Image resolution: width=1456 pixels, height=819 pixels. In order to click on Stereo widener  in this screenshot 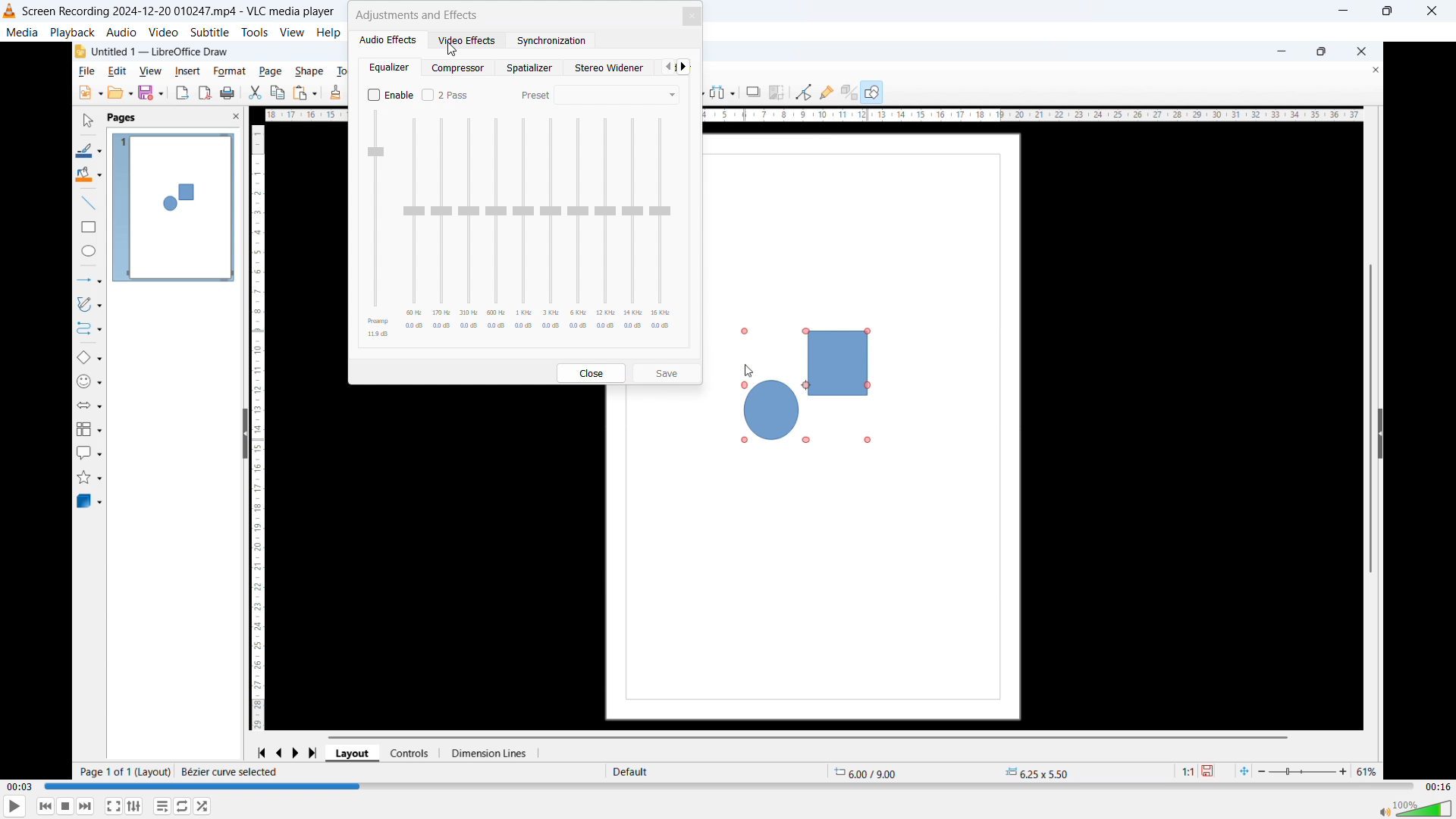, I will do `click(611, 67)`.